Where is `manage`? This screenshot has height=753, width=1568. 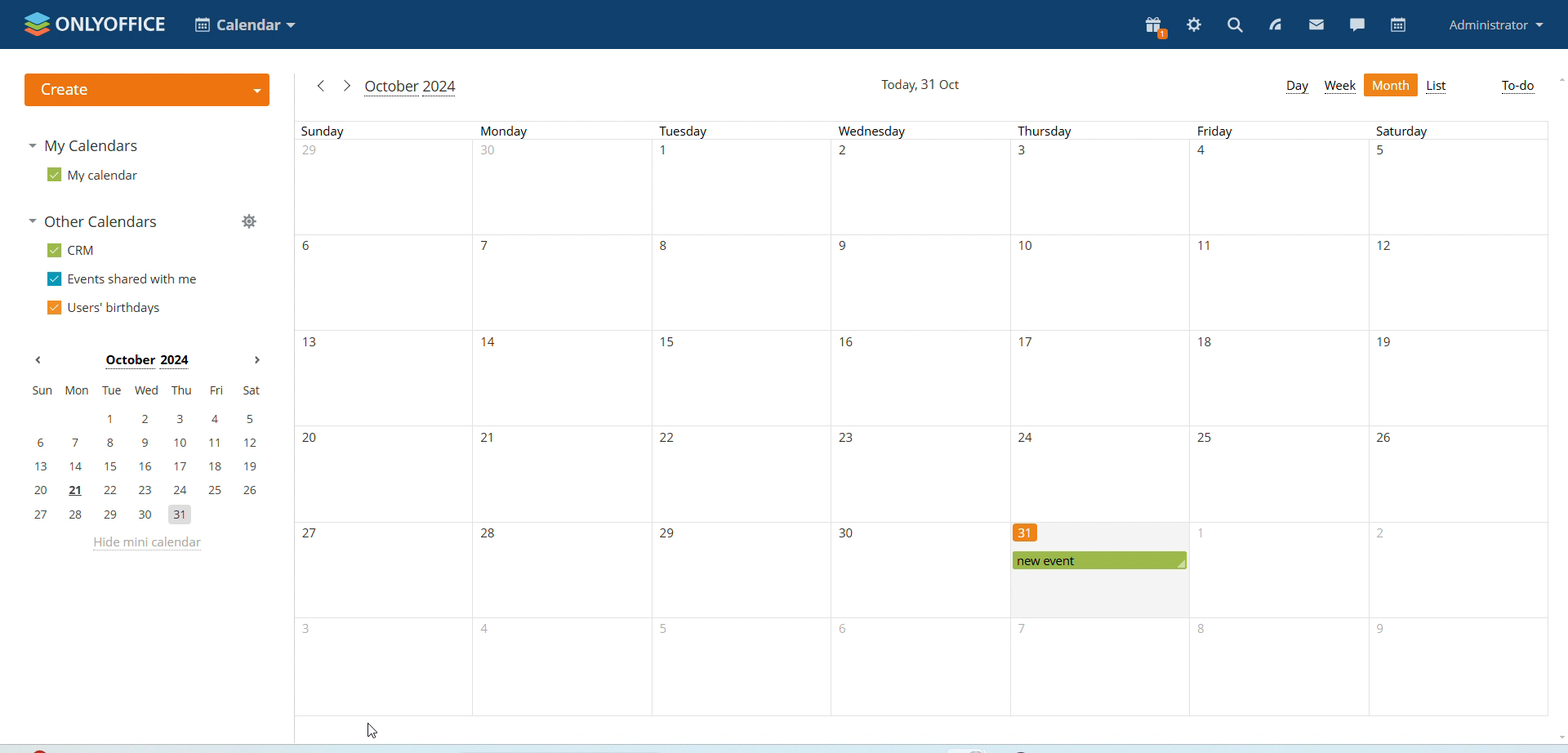
manage is located at coordinates (251, 221).